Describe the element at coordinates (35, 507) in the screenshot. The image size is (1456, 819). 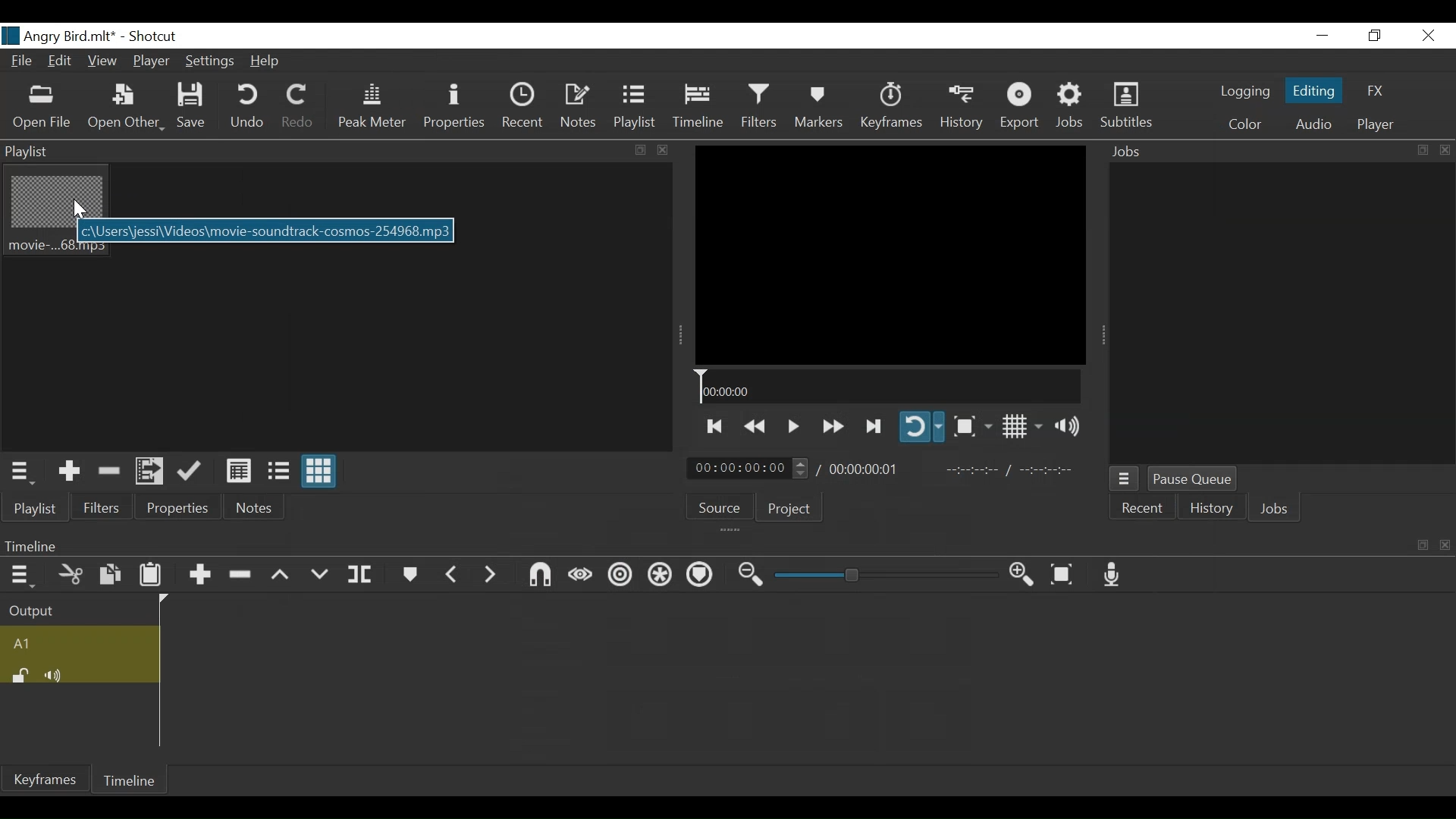
I see `Playlist menu` at that location.